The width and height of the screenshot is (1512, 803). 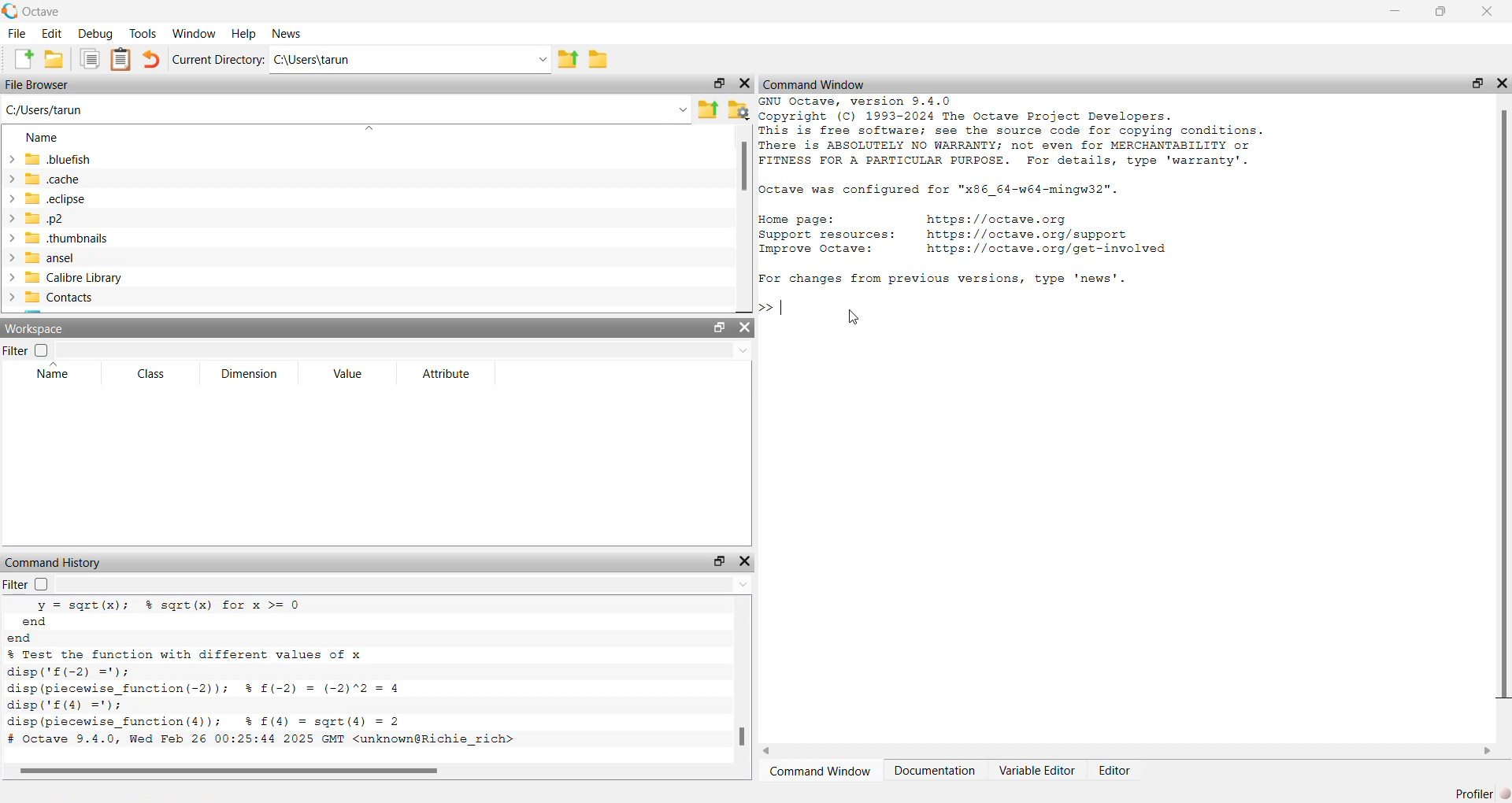 I want to click on Maximize/Restore, so click(x=717, y=327).